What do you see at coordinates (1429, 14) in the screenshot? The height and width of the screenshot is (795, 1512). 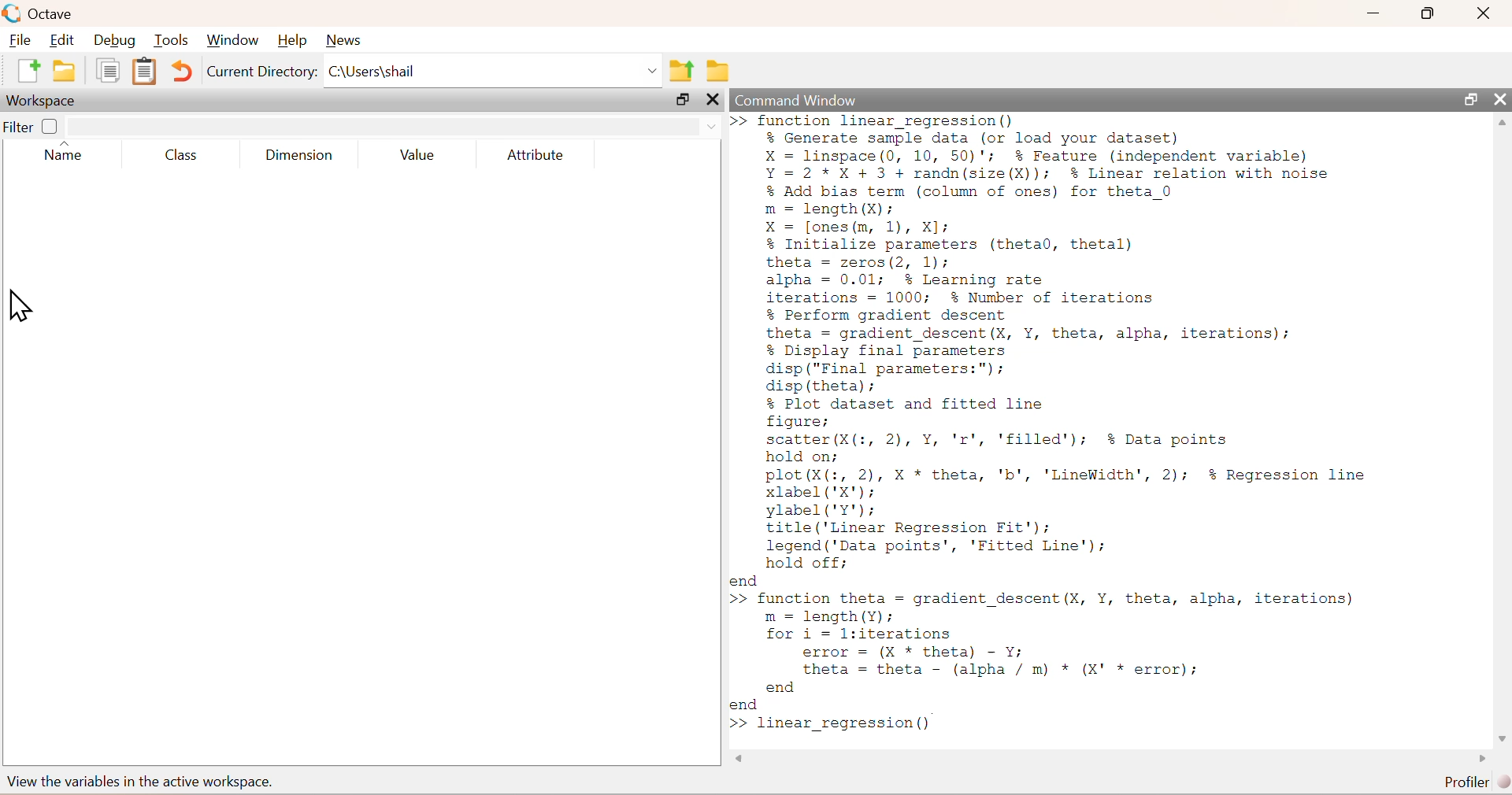 I see `resize` at bounding box center [1429, 14].